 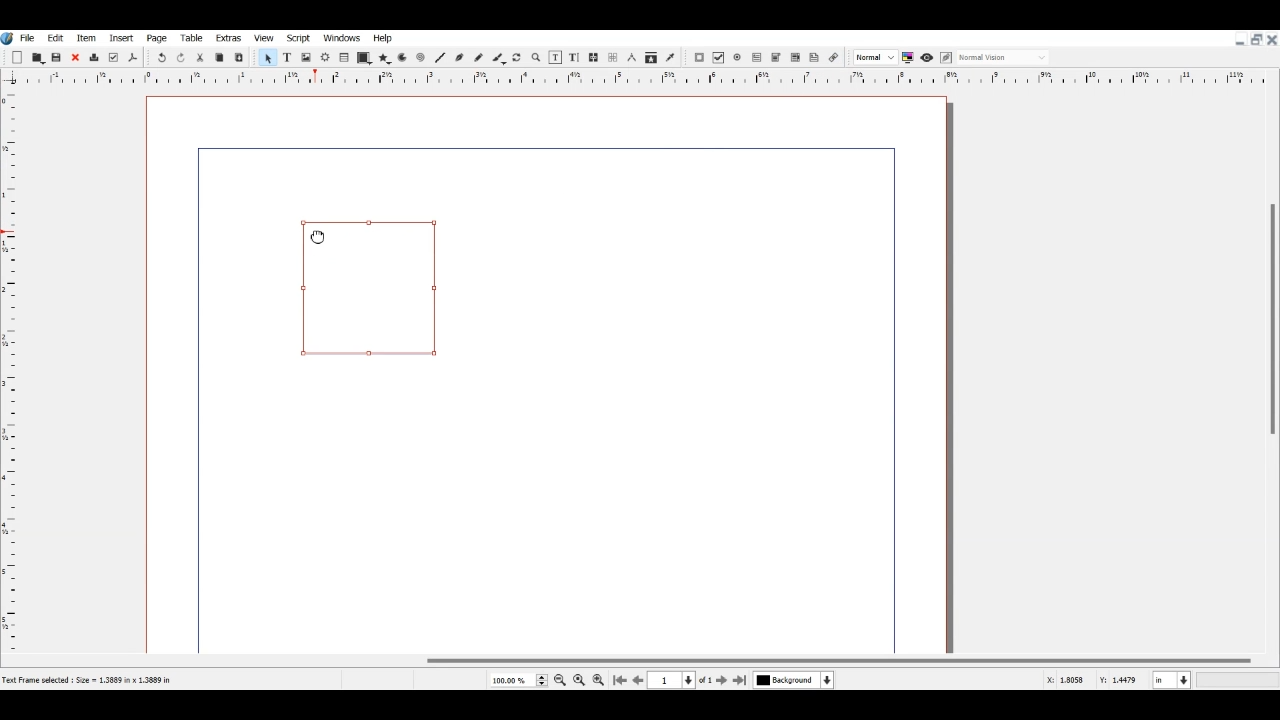 I want to click on Text Frame, so click(x=287, y=57).